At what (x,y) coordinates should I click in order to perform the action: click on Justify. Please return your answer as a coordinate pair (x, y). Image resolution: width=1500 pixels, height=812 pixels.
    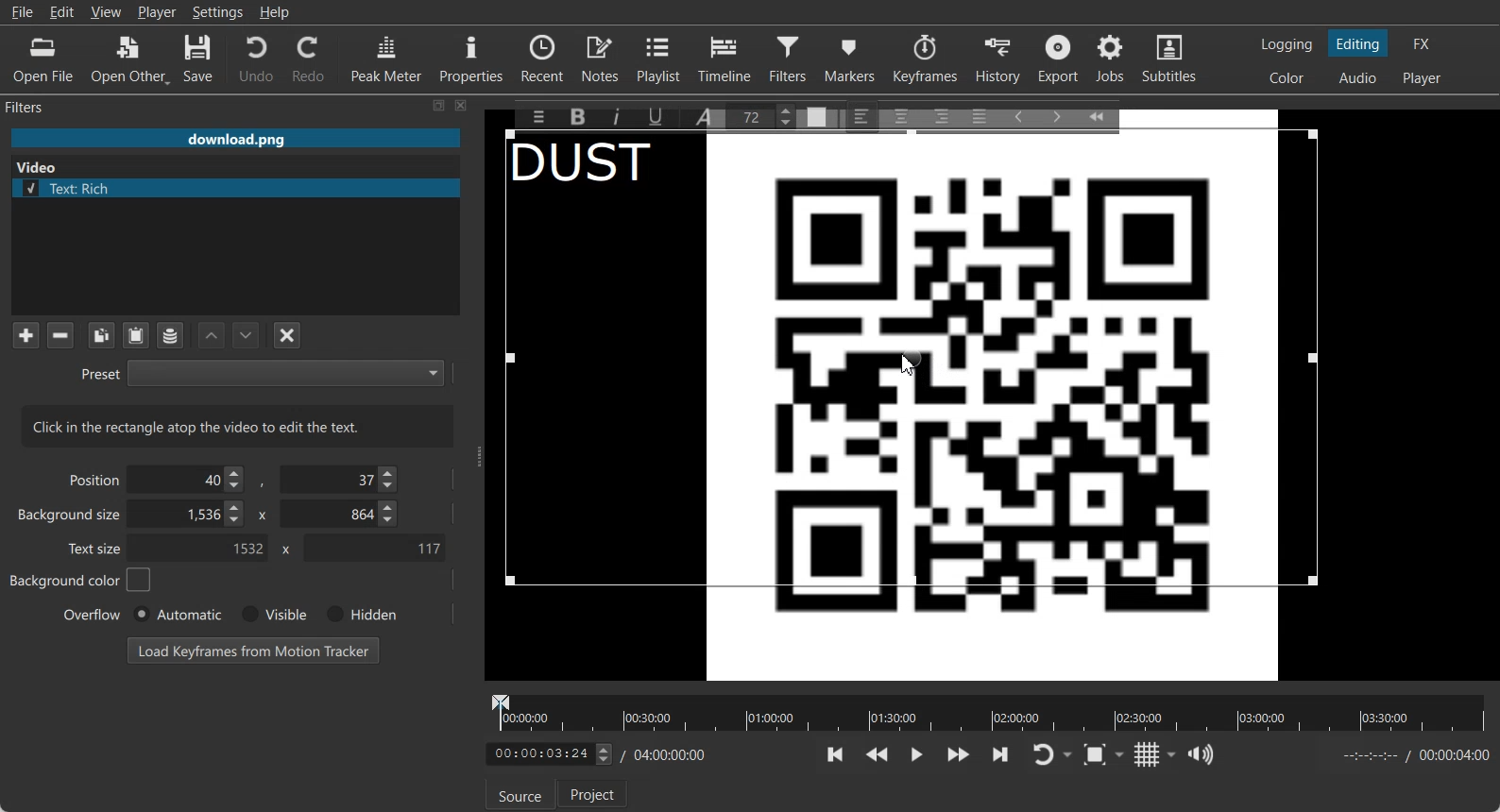
    Looking at the image, I should click on (980, 113).